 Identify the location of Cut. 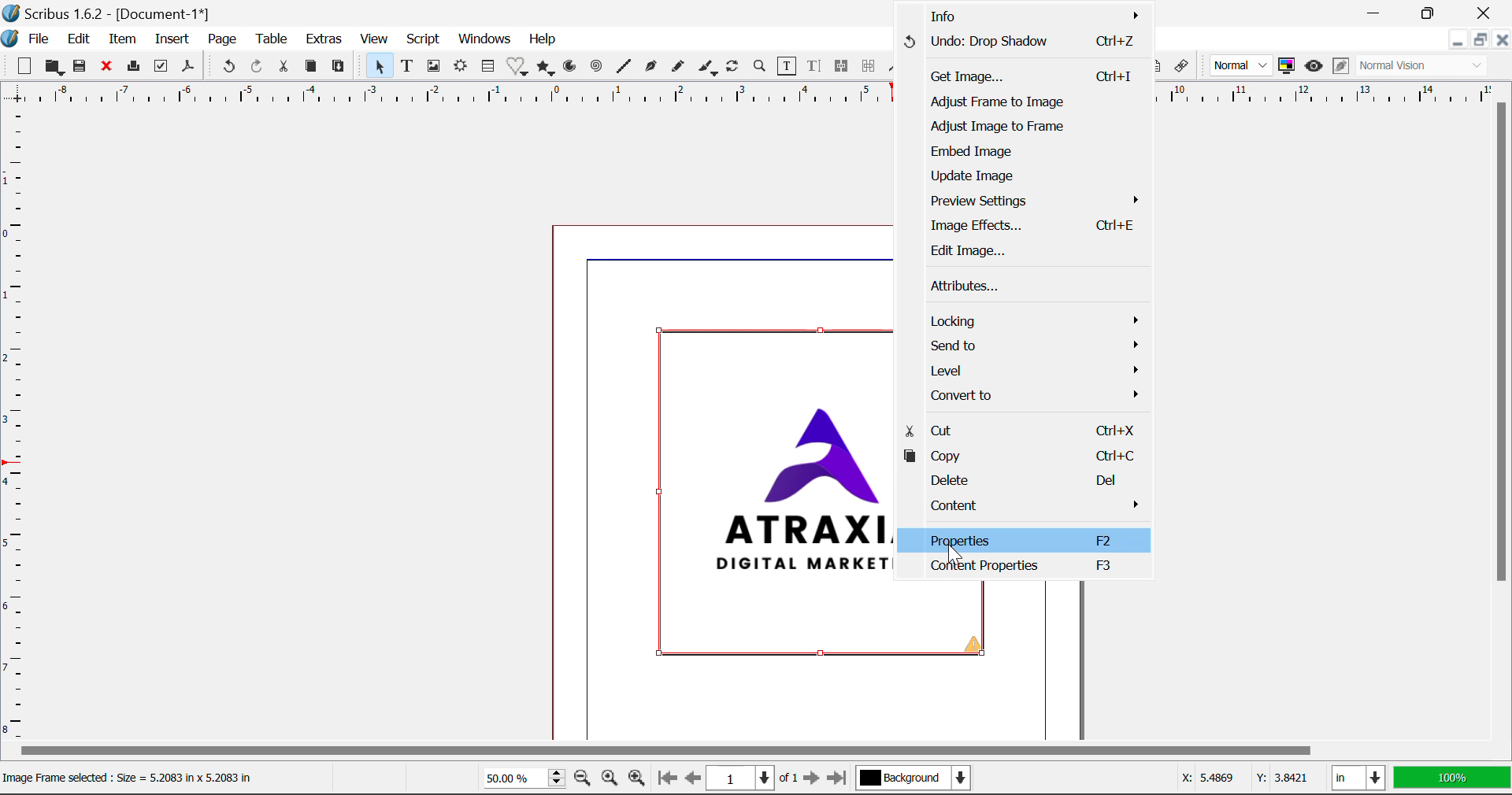
(283, 68).